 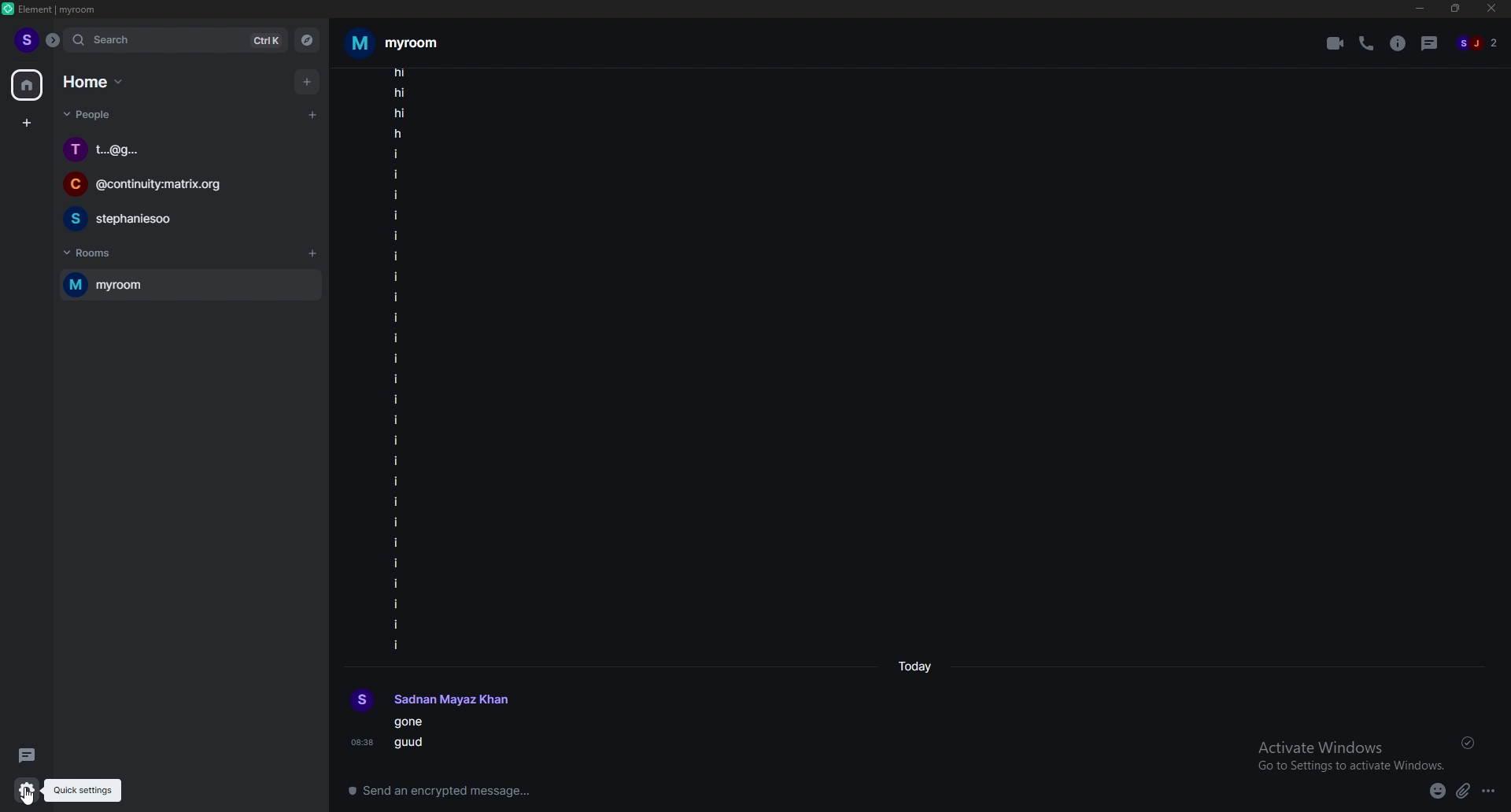 What do you see at coordinates (1421, 9) in the screenshot?
I see `minimize` at bounding box center [1421, 9].